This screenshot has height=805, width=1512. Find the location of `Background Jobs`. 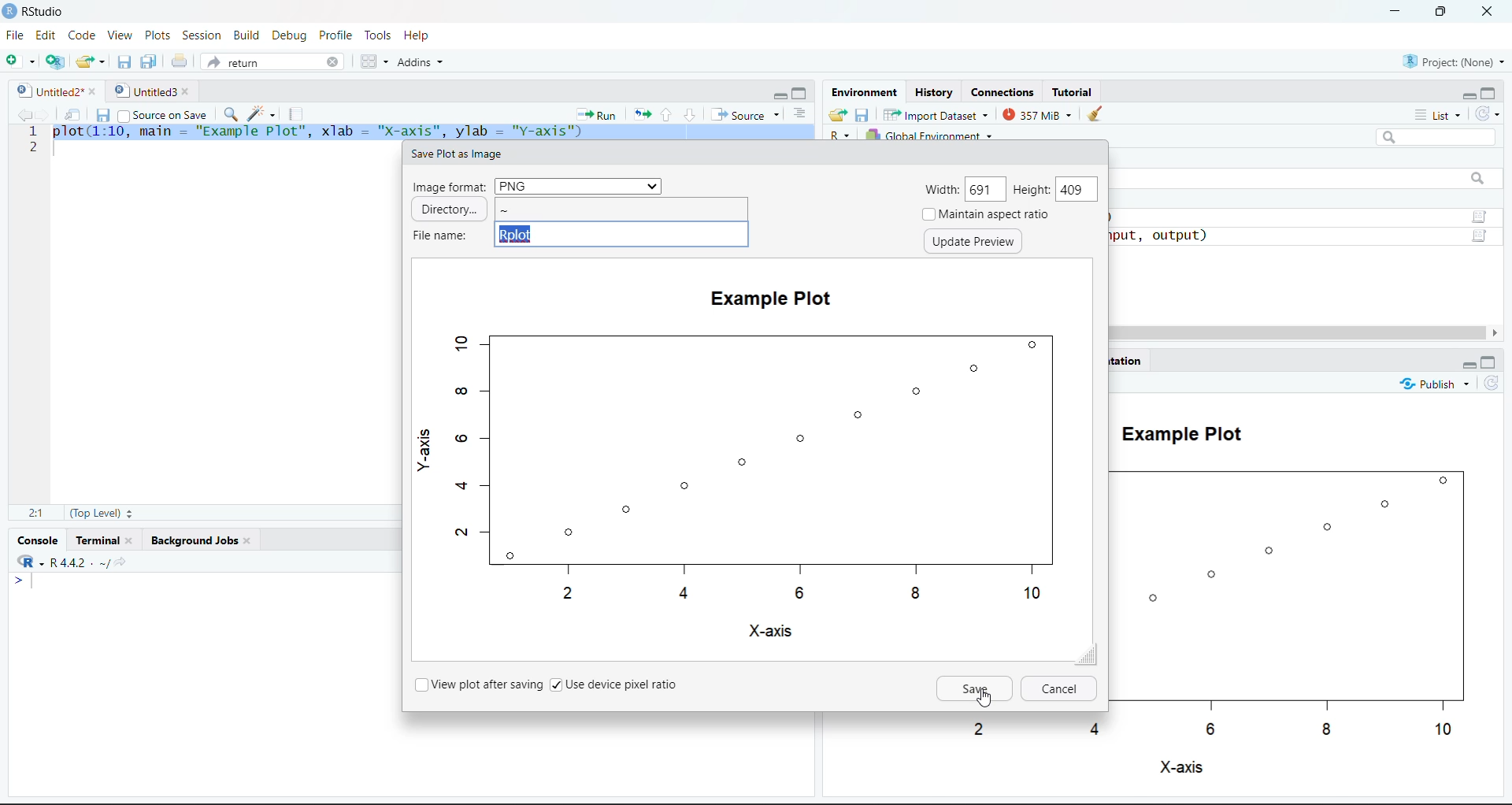

Background Jobs is located at coordinates (197, 540).